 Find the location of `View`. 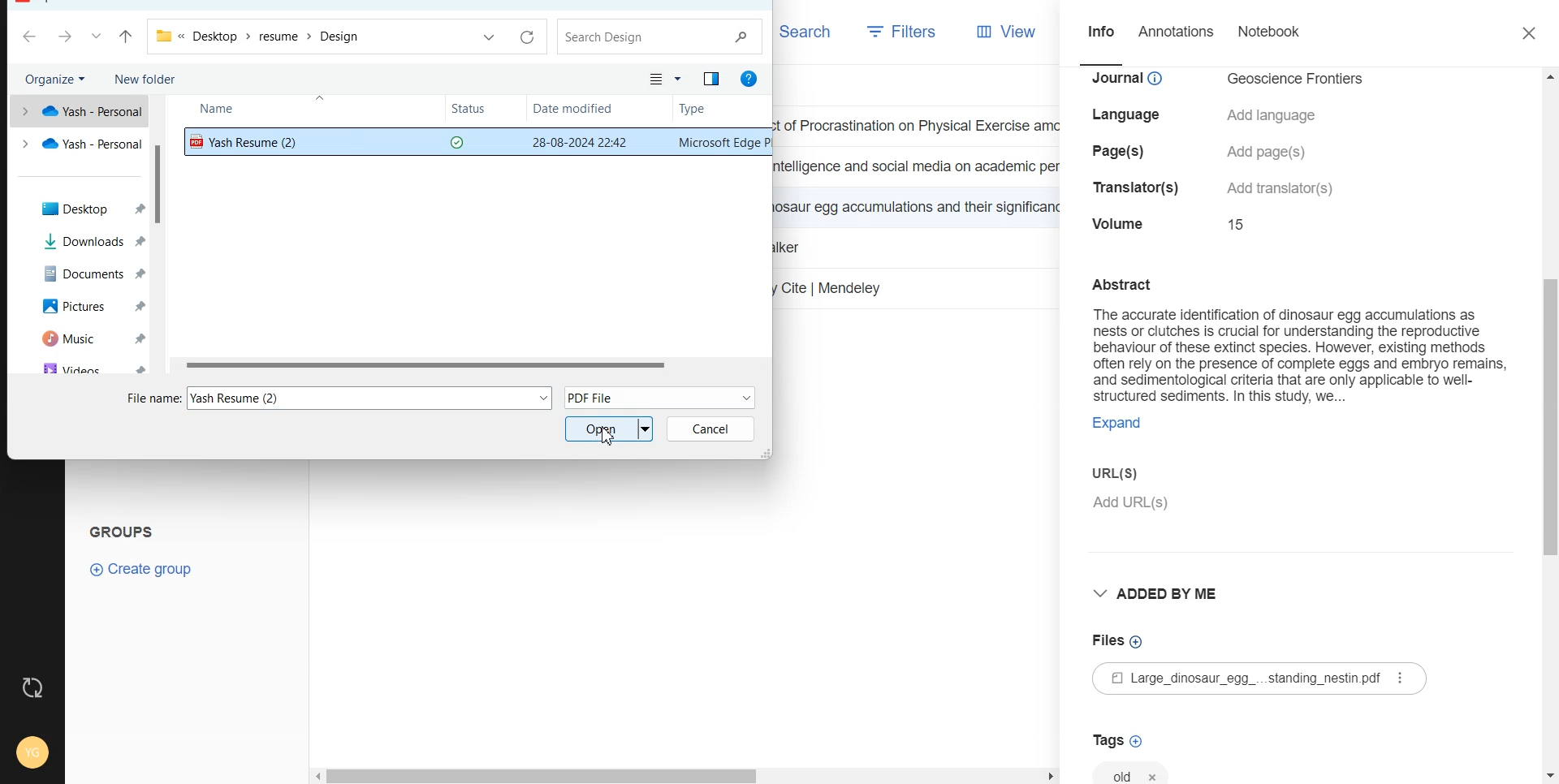

View is located at coordinates (1008, 32).